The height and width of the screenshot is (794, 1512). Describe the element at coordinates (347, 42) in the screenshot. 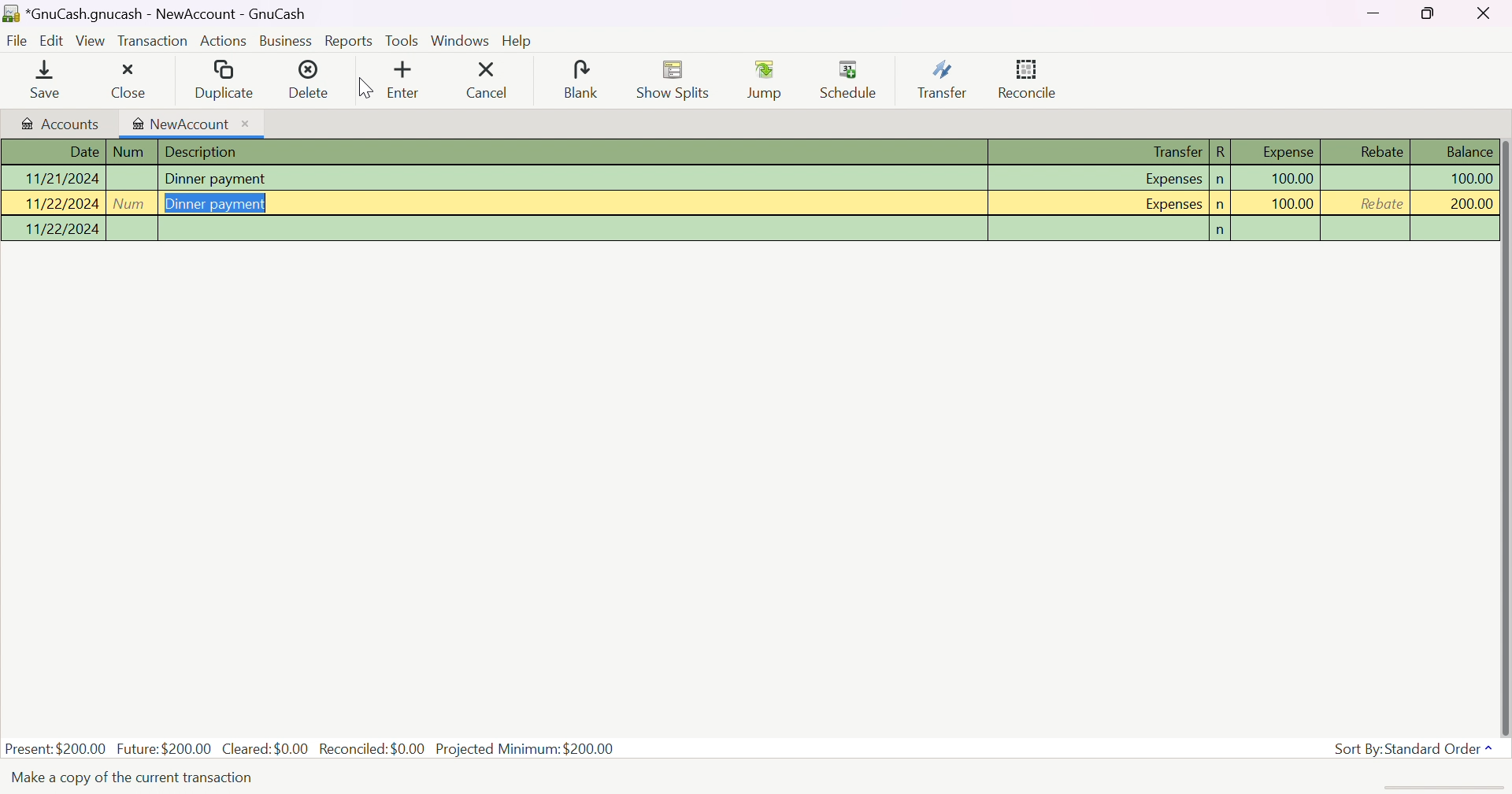

I see `Reports` at that location.